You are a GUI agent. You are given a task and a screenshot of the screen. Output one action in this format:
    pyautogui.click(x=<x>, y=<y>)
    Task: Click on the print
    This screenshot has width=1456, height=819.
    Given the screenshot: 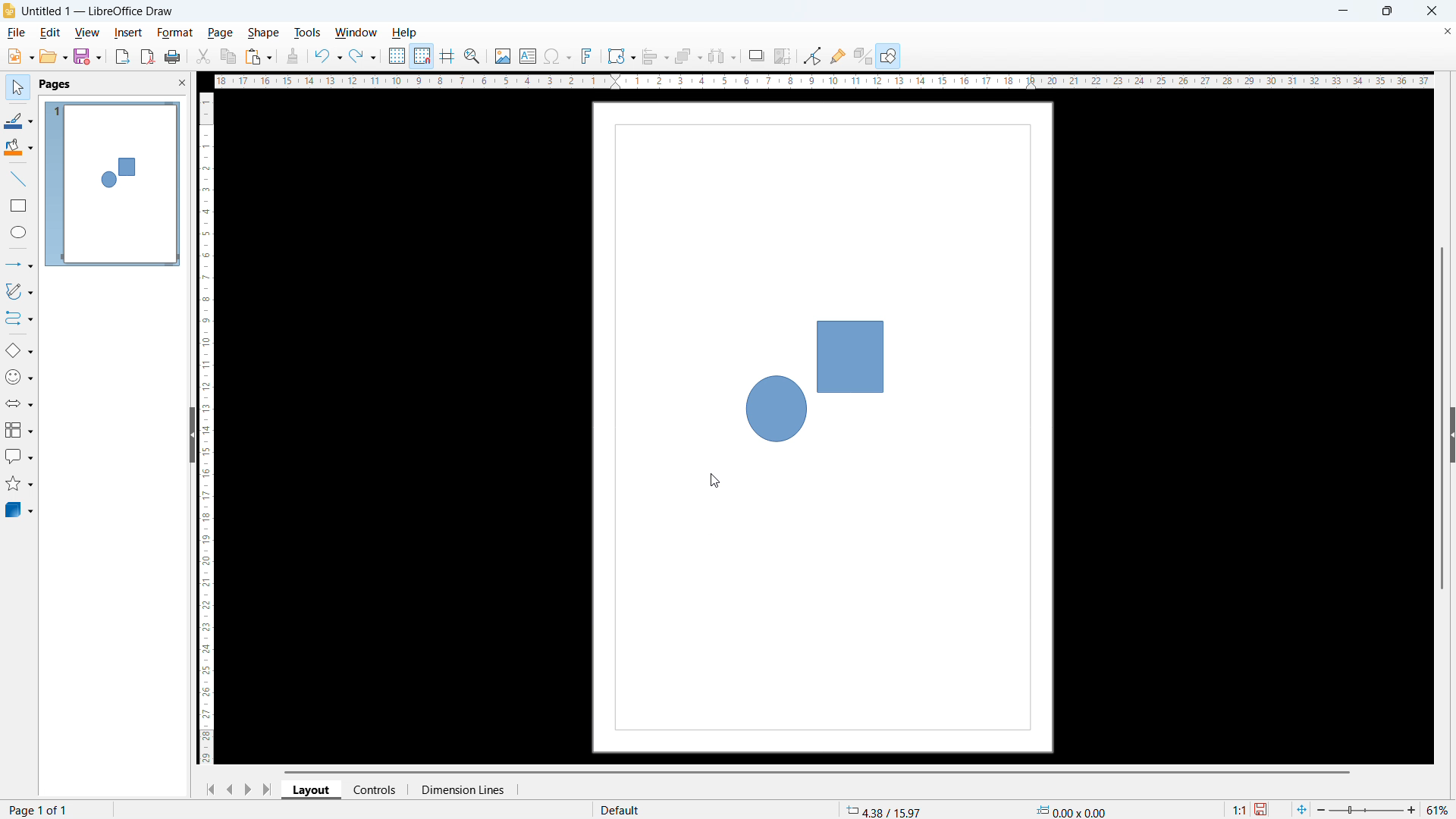 What is the action you would take?
    pyautogui.click(x=174, y=57)
    